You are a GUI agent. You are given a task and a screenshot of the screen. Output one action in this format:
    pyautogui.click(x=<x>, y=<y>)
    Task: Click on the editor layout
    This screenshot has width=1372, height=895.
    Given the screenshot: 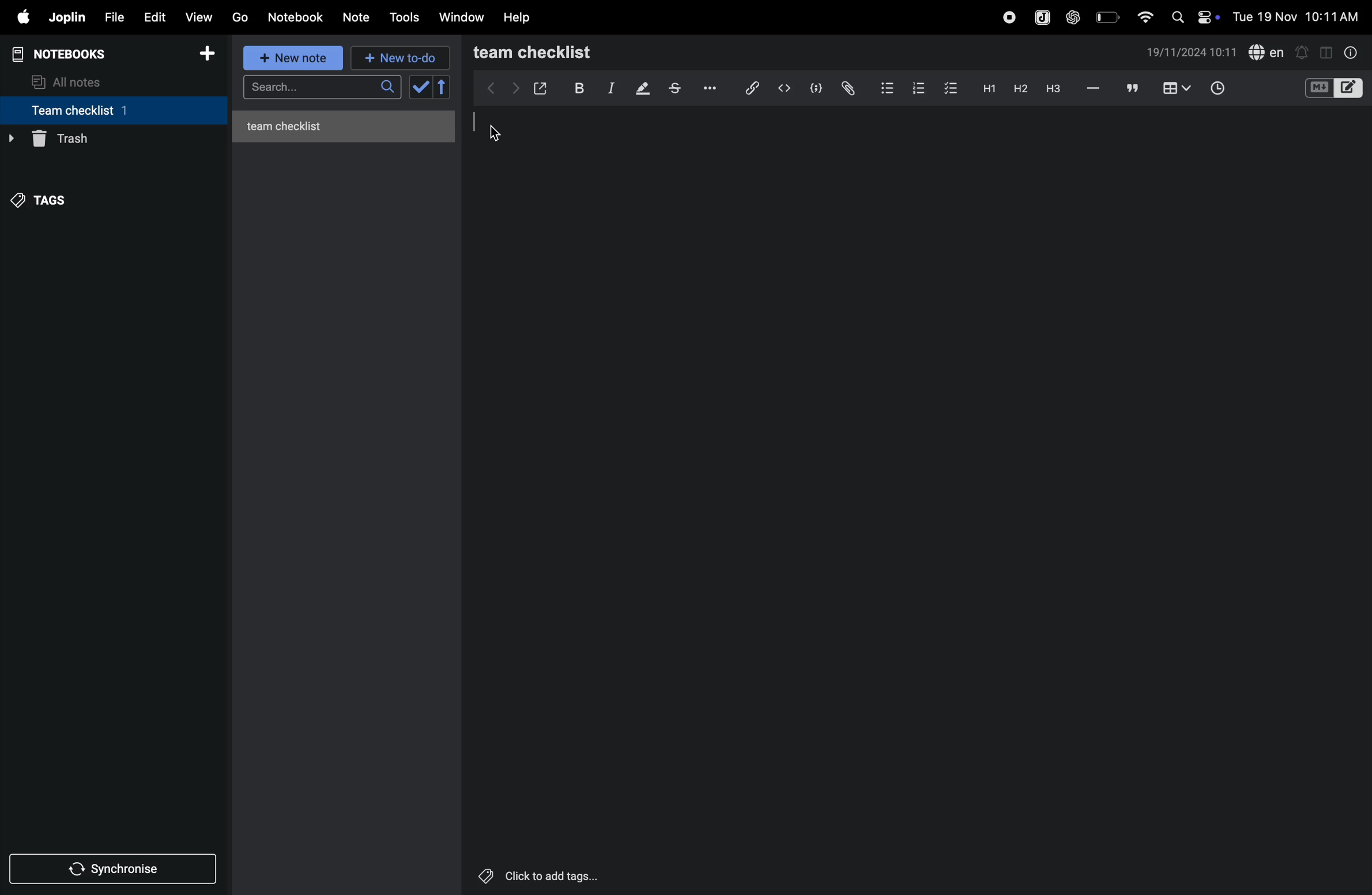 What is the action you would take?
    pyautogui.click(x=1350, y=87)
    